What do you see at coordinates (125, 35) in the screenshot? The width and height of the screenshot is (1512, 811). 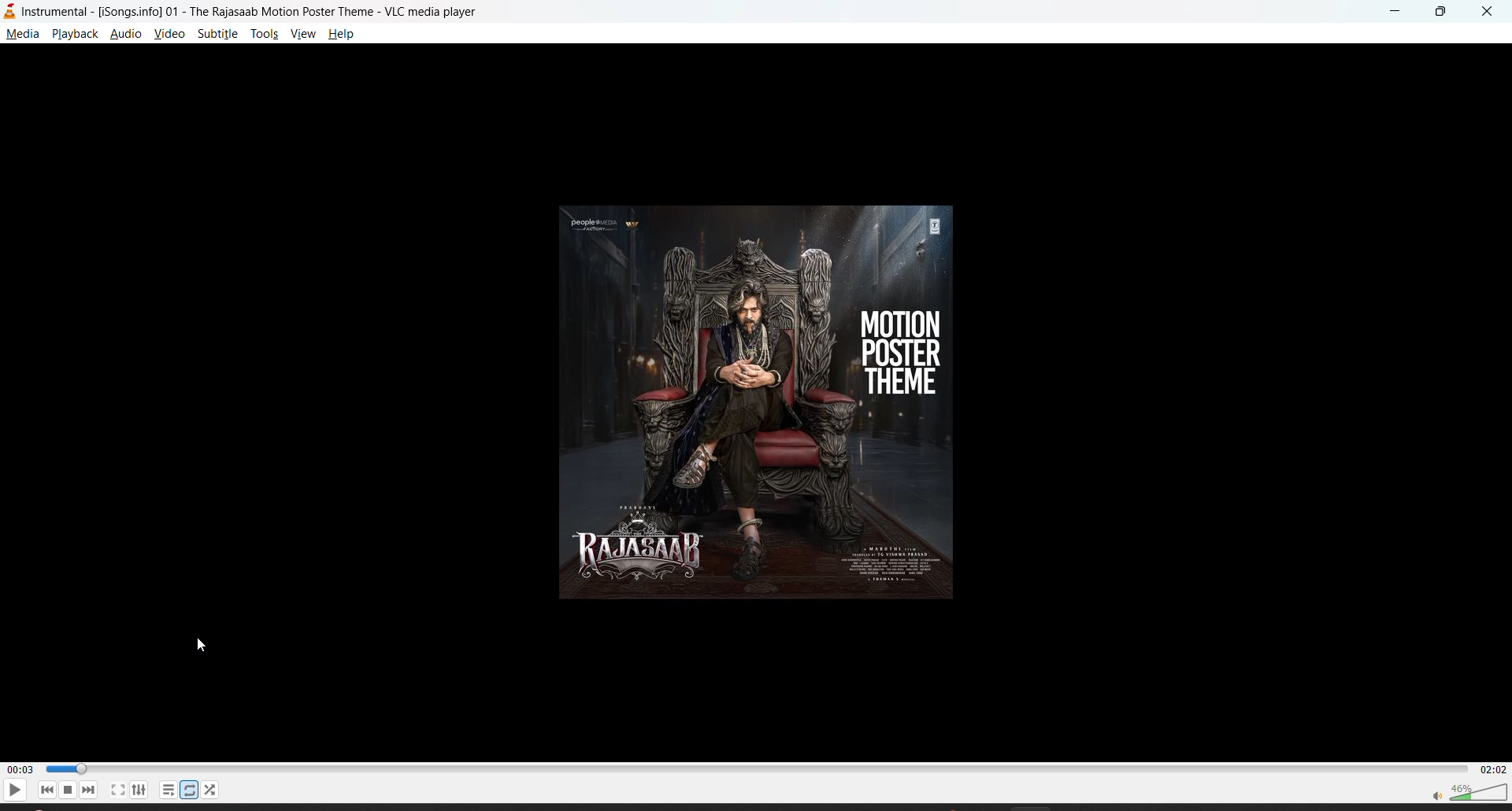 I see `audio` at bounding box center [125, 35].